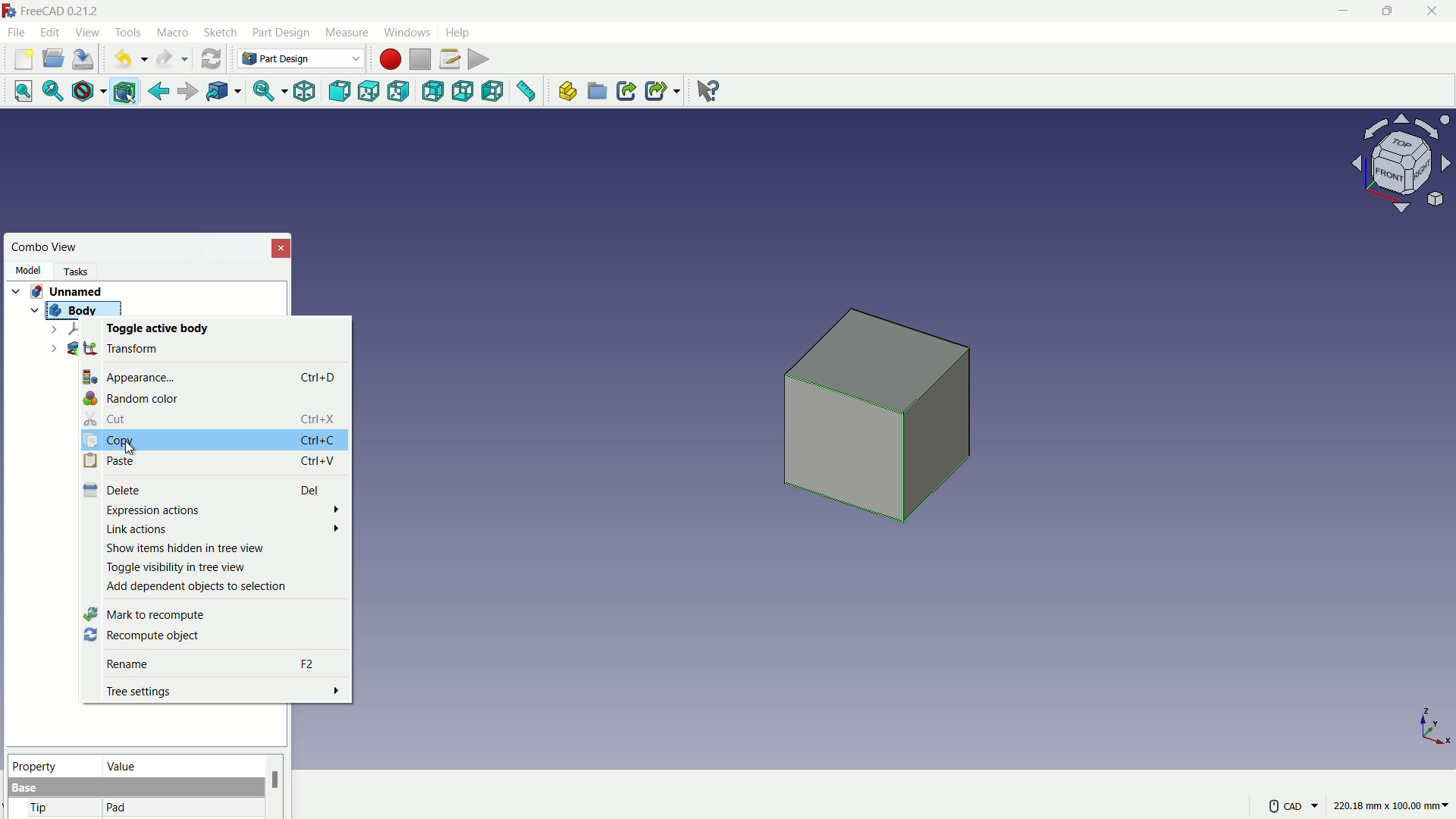  I want to click on save file, so click(85, 60).